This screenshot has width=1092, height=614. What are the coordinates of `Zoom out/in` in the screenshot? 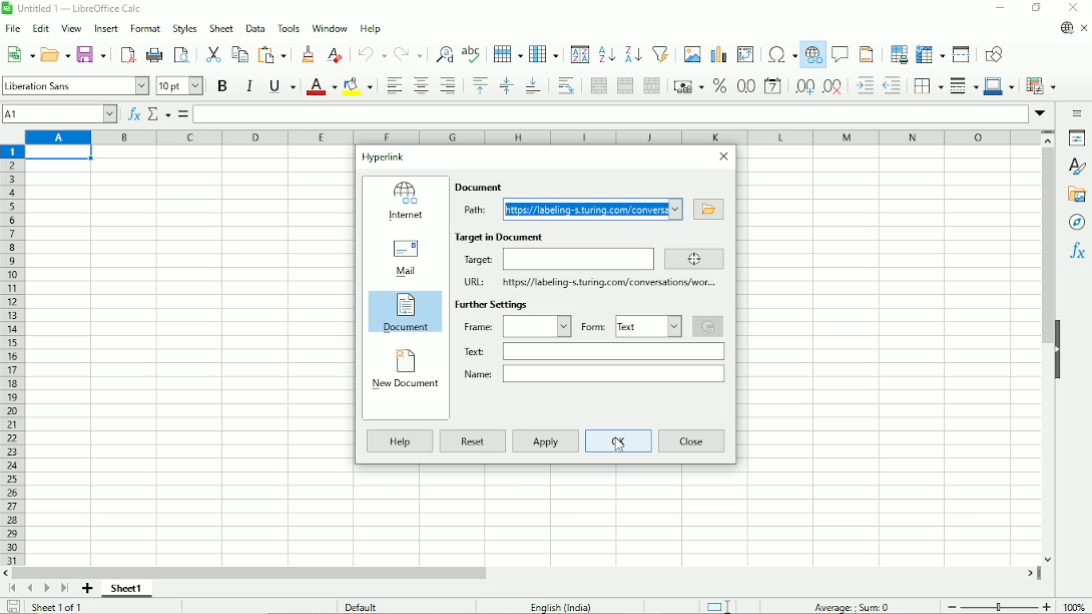 It's located at (999, 607).